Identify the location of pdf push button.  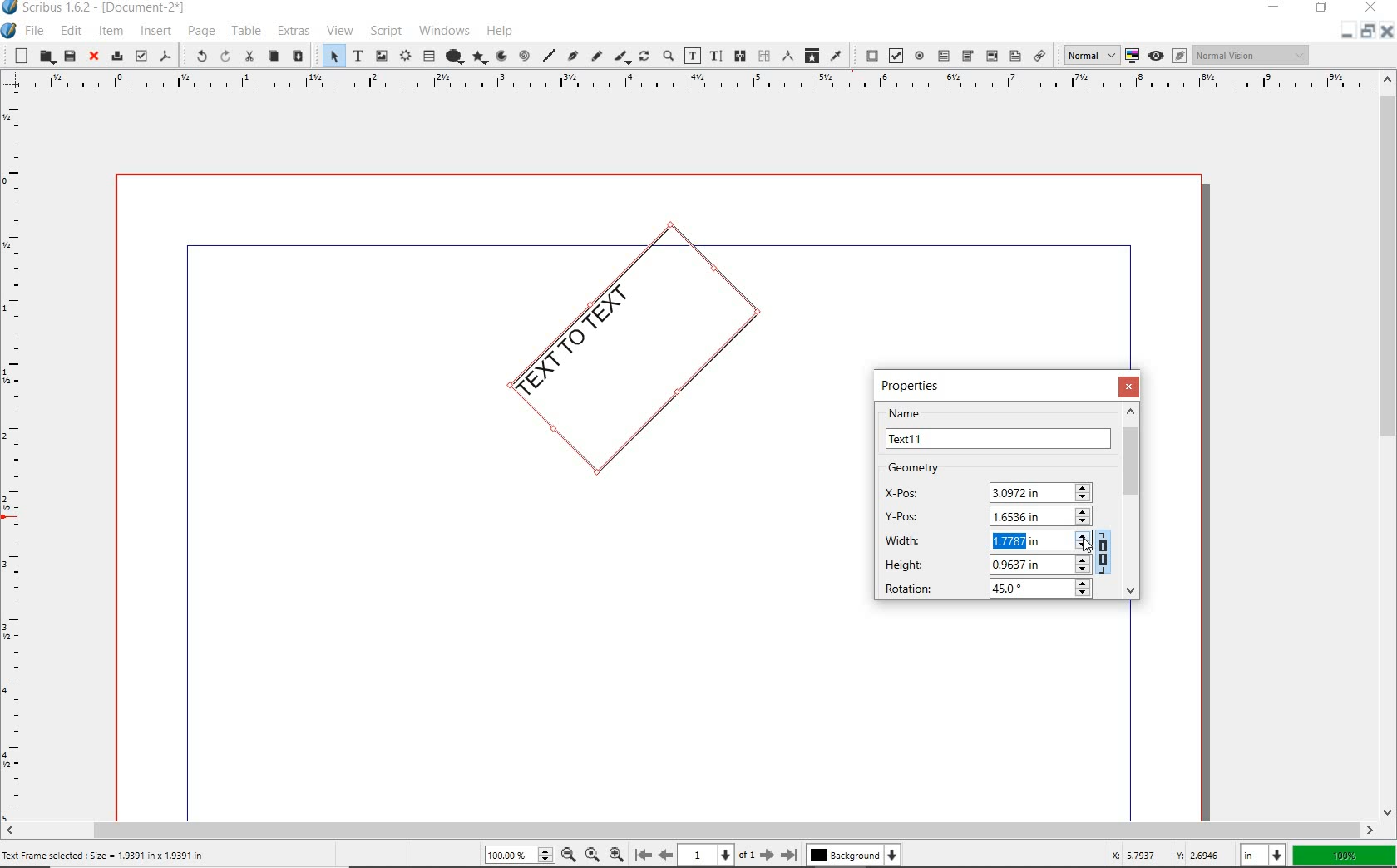
(866, 56).